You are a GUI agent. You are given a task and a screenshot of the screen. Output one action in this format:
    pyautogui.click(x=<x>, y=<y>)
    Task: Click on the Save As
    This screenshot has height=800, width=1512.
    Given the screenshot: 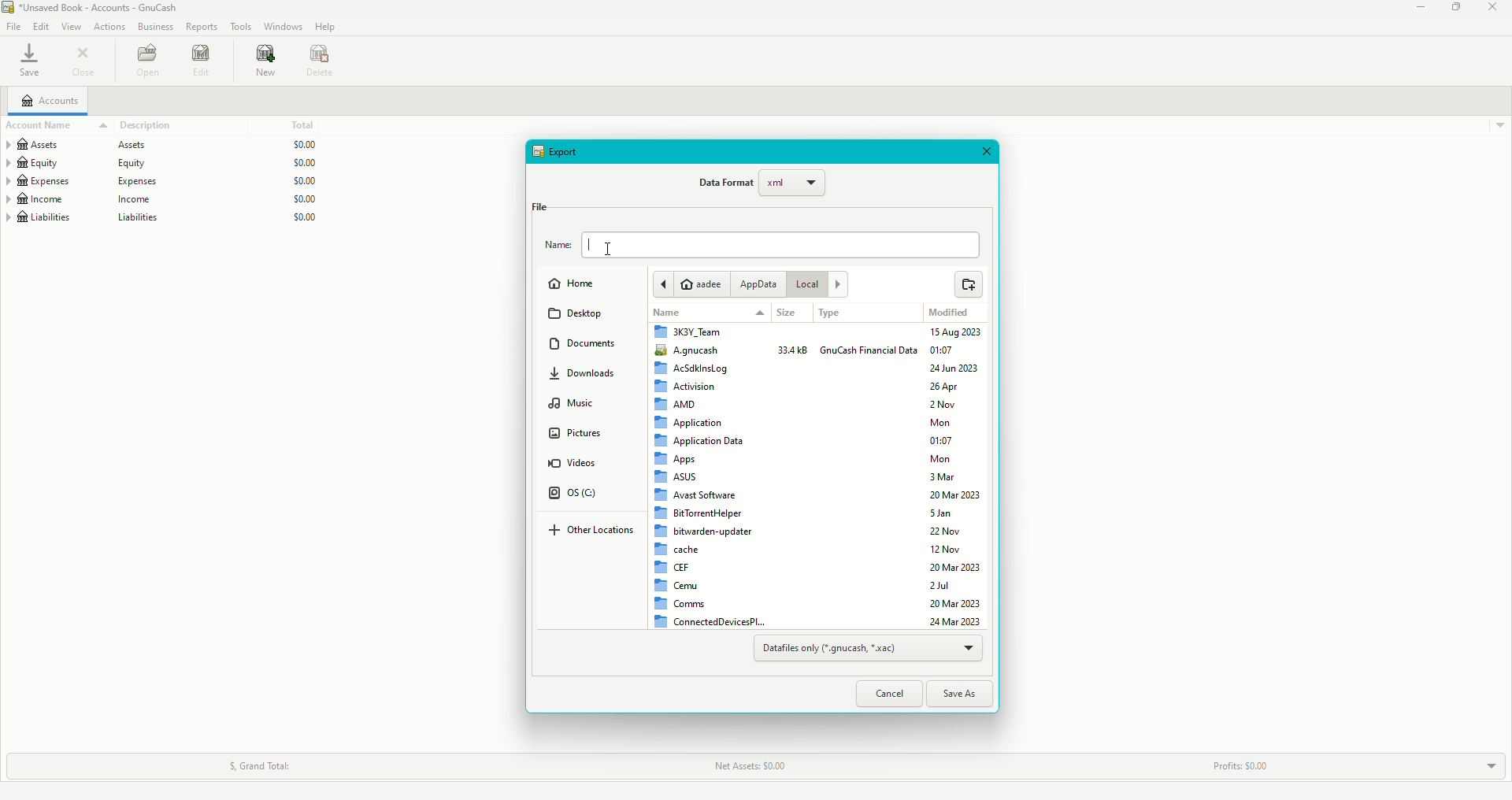 What is the action you would take?
    pyautogui.click(x=964, y=692)
    